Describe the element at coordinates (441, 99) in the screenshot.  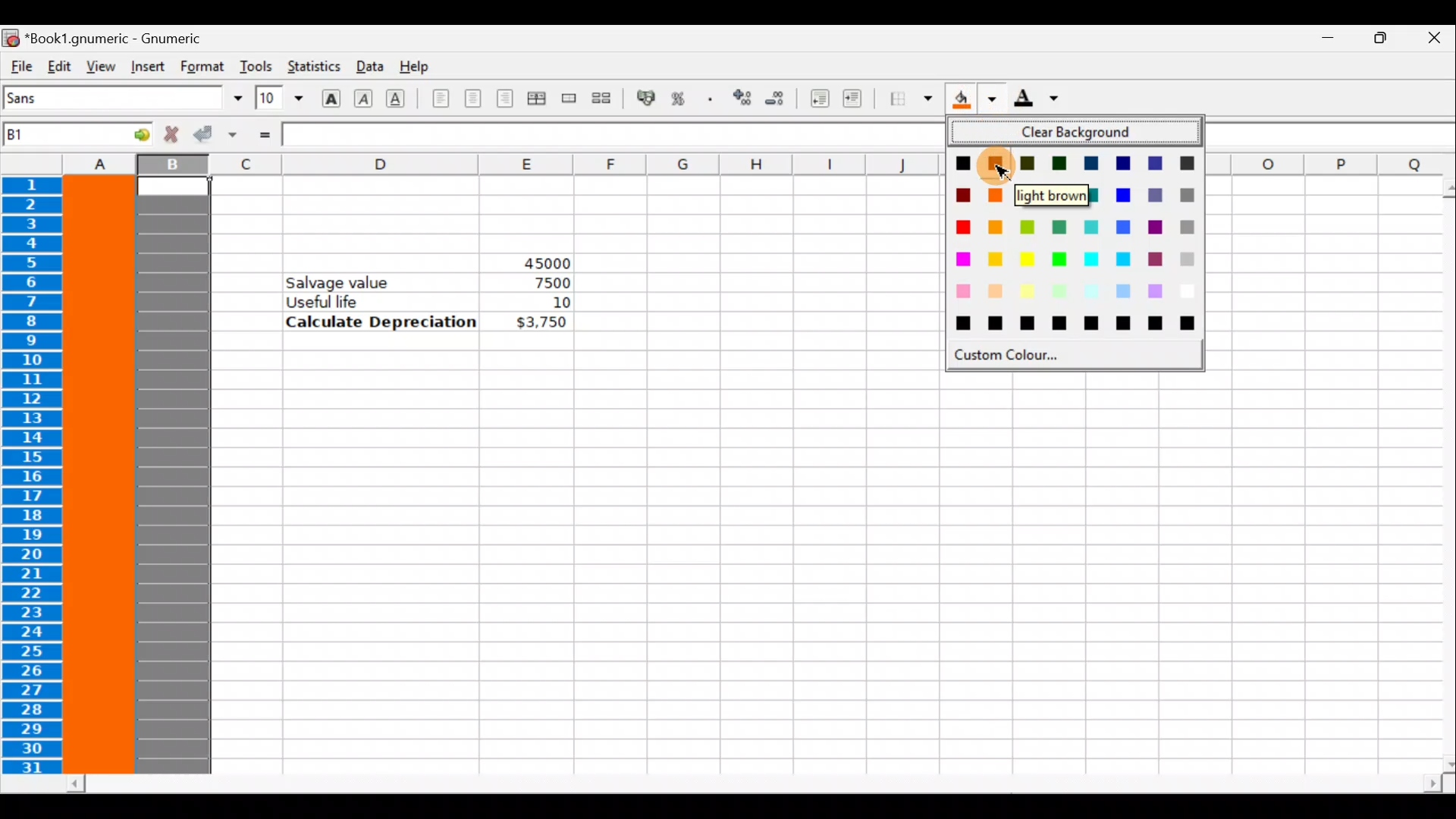
I see `Align left` at that location.